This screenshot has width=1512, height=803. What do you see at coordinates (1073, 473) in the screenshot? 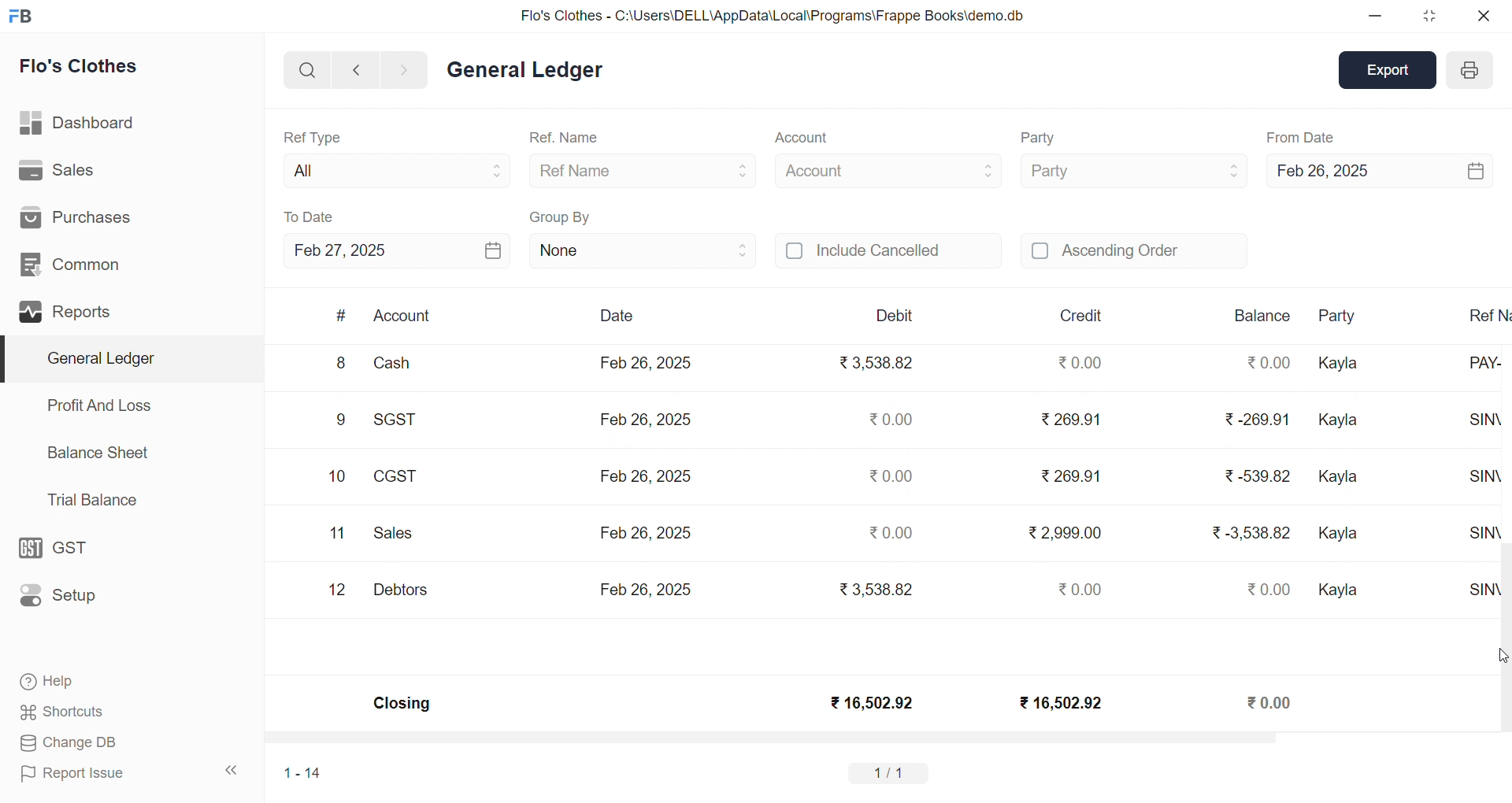
I see `₹269.91` at bounding box center [1073, 473].